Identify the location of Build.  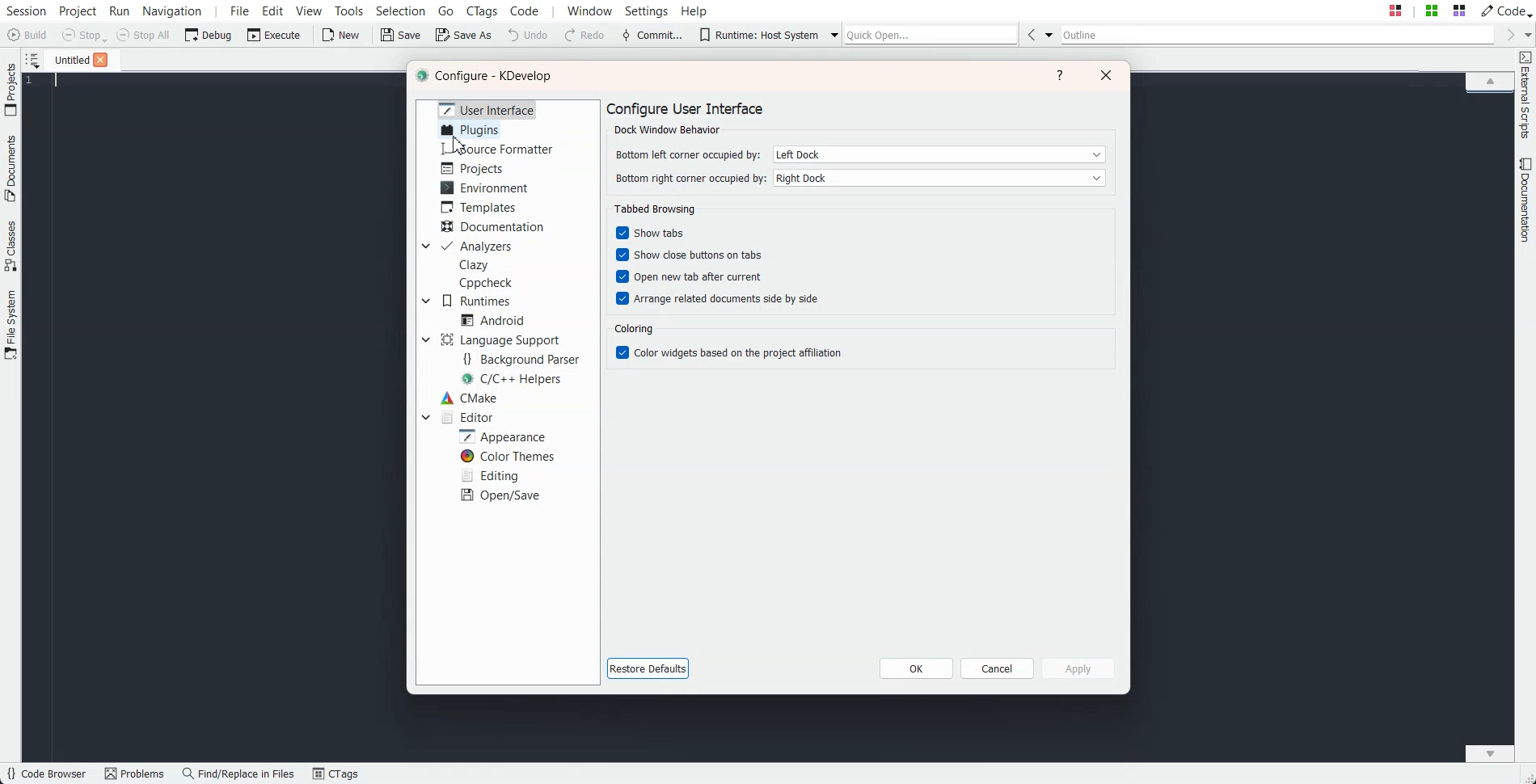
(29, 36).